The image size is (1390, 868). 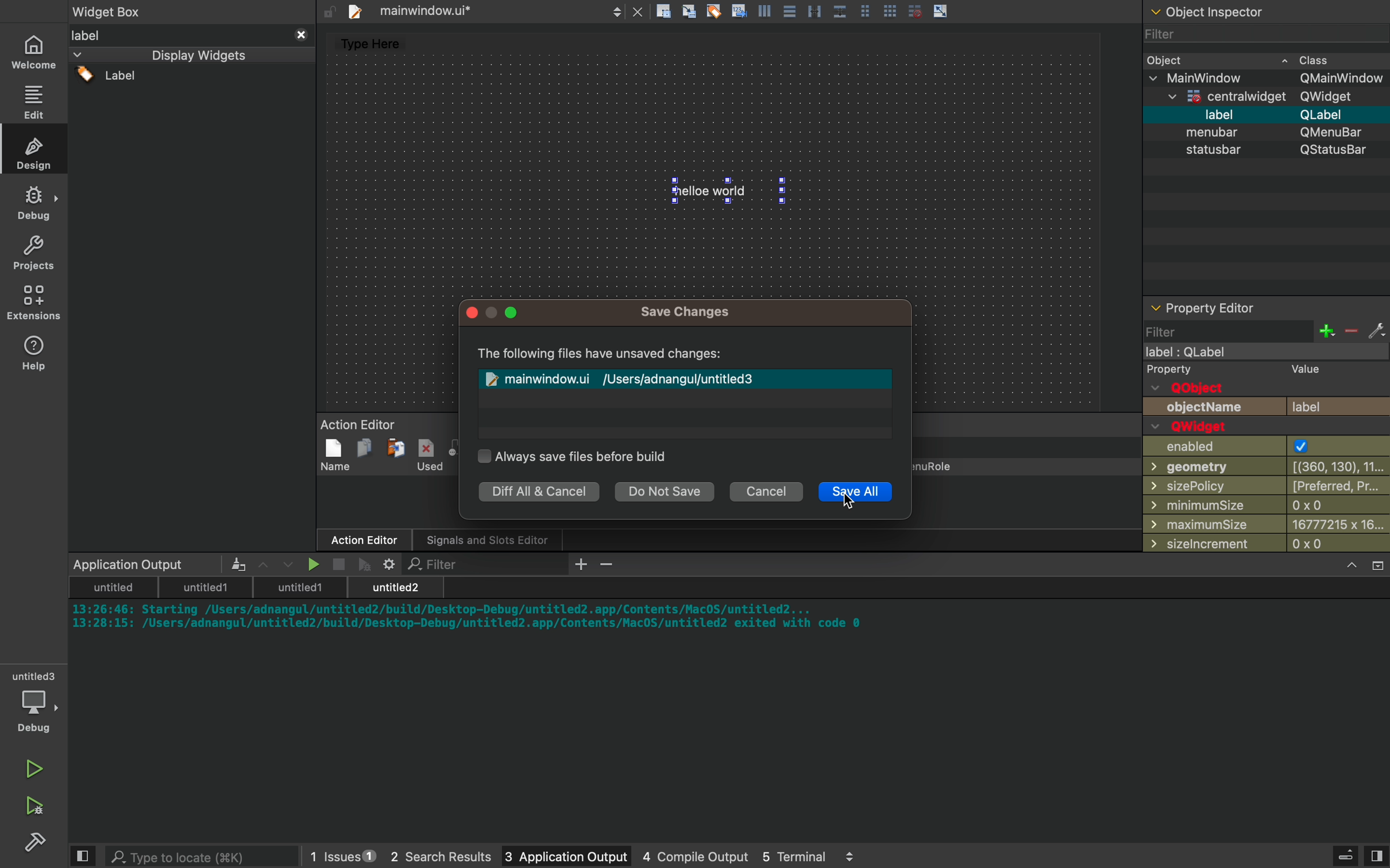 What do you see at coordinates (574, 456) in the screenshot?
I see `save settings ` at bounding box center [574, 456].